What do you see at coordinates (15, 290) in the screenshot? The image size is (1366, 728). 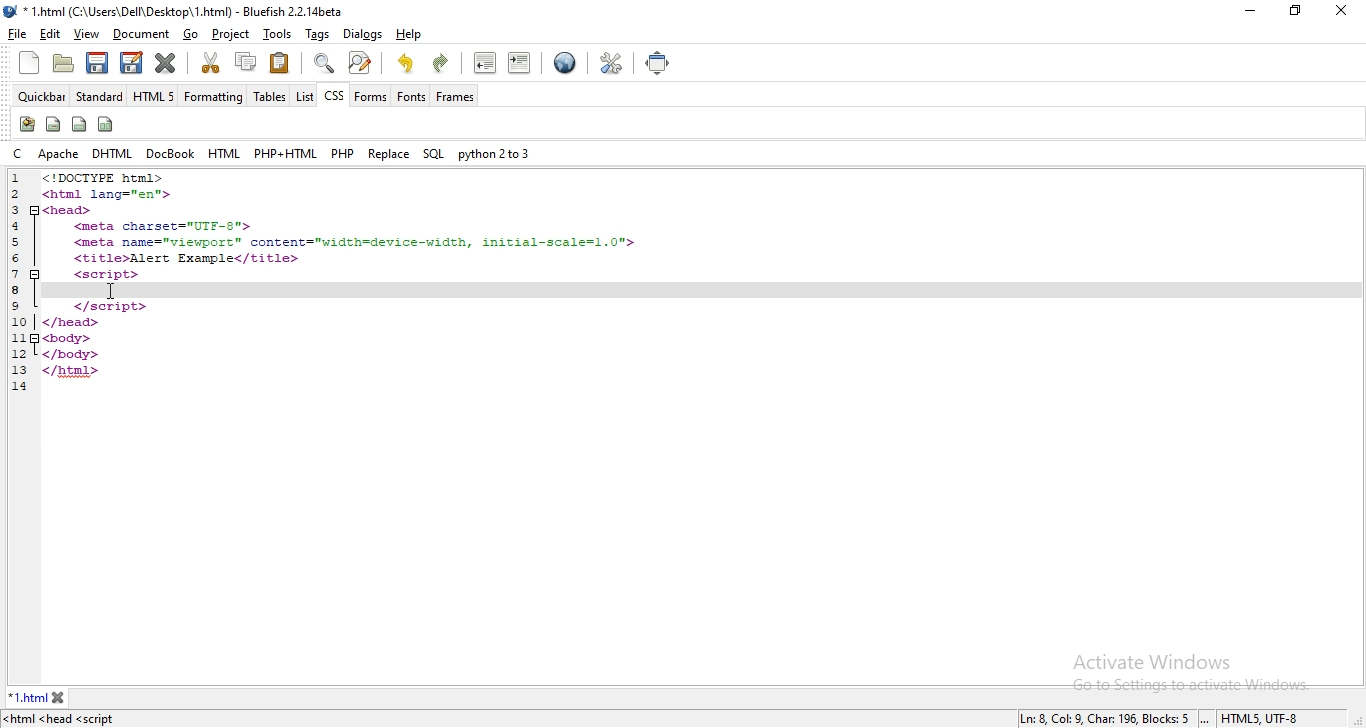 I see `8` at bounding box center [15, 290].